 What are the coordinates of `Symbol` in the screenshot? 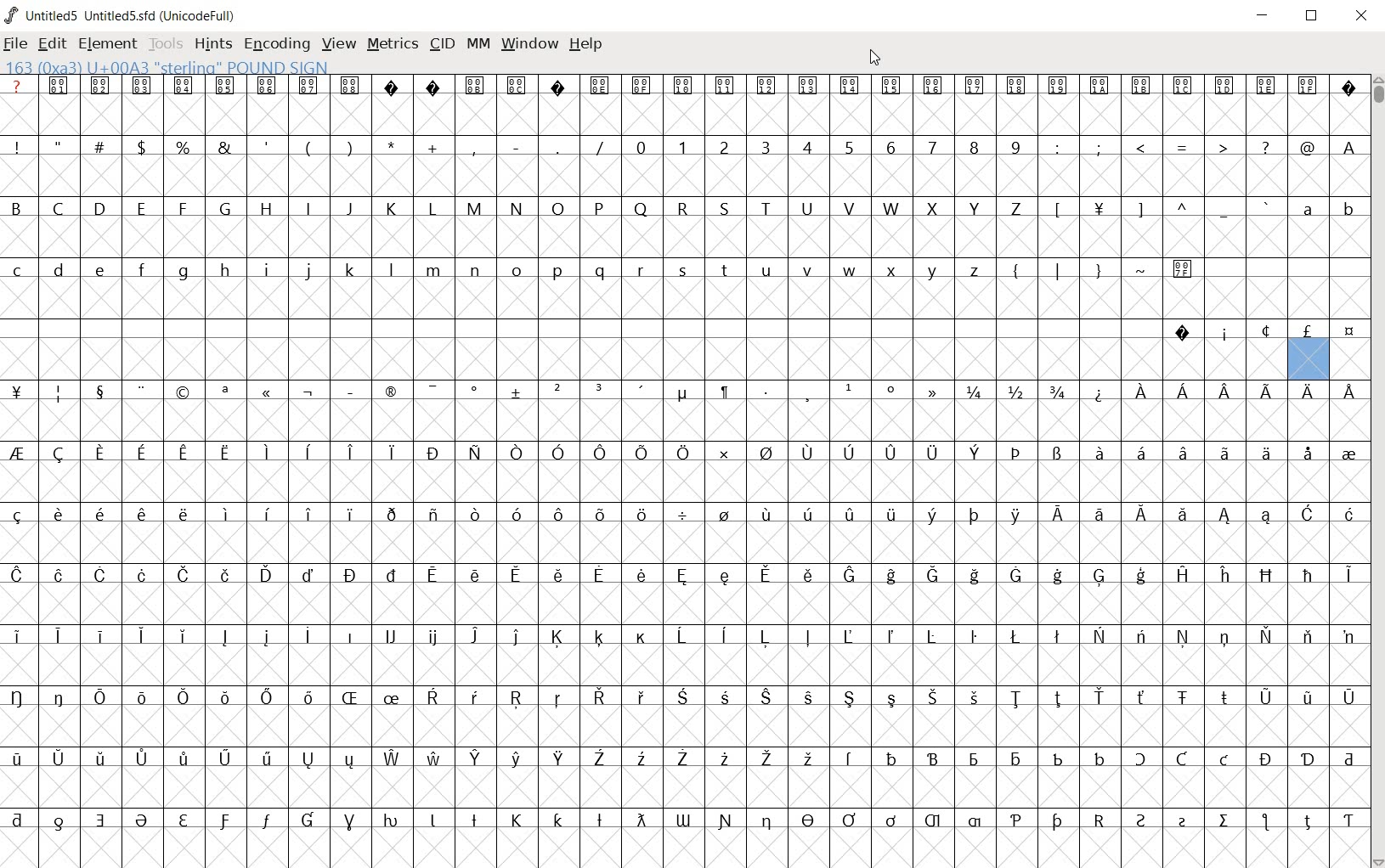 It's located at (641, 455).